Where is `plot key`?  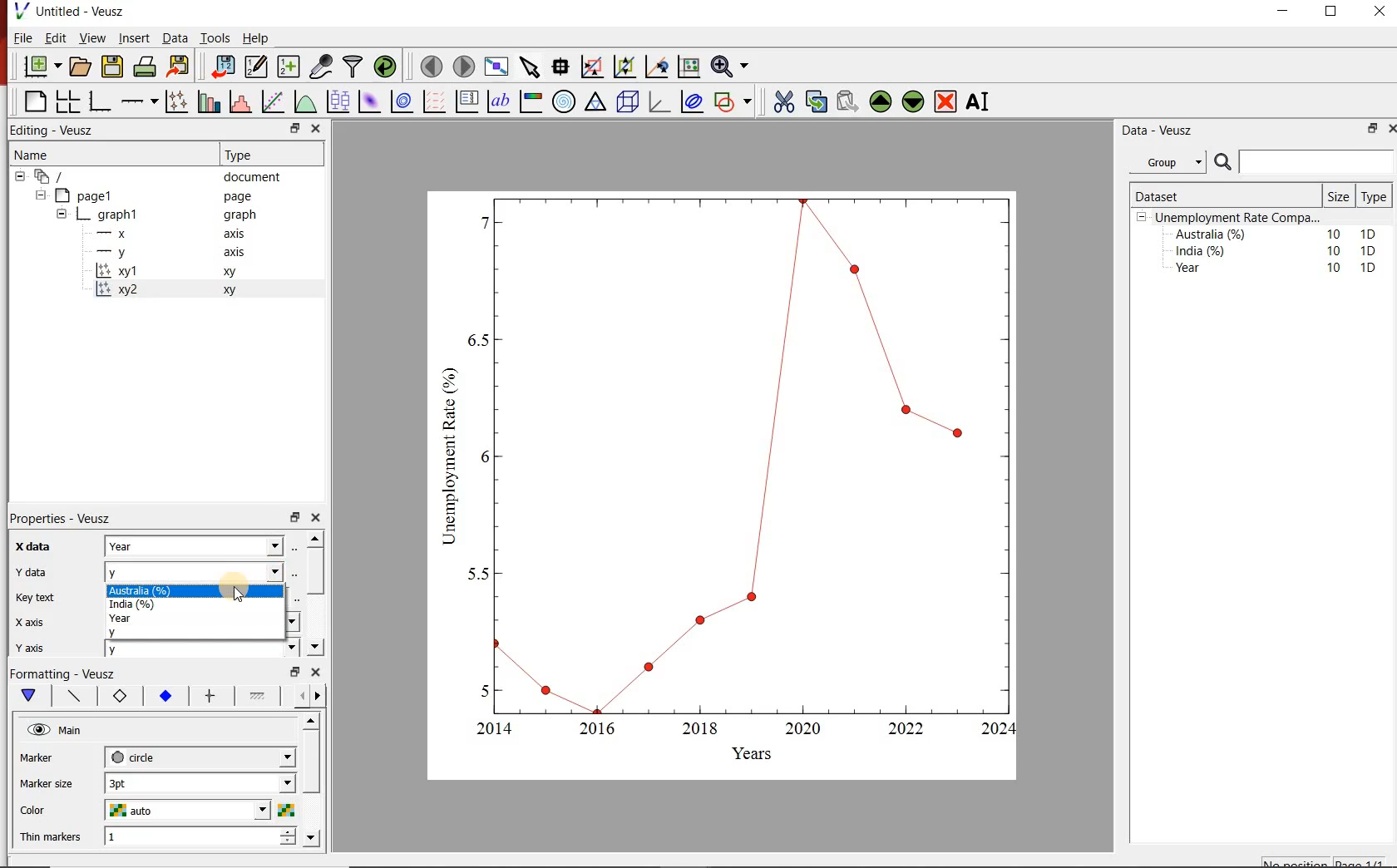 plot key is located at coordinates (466, 102).